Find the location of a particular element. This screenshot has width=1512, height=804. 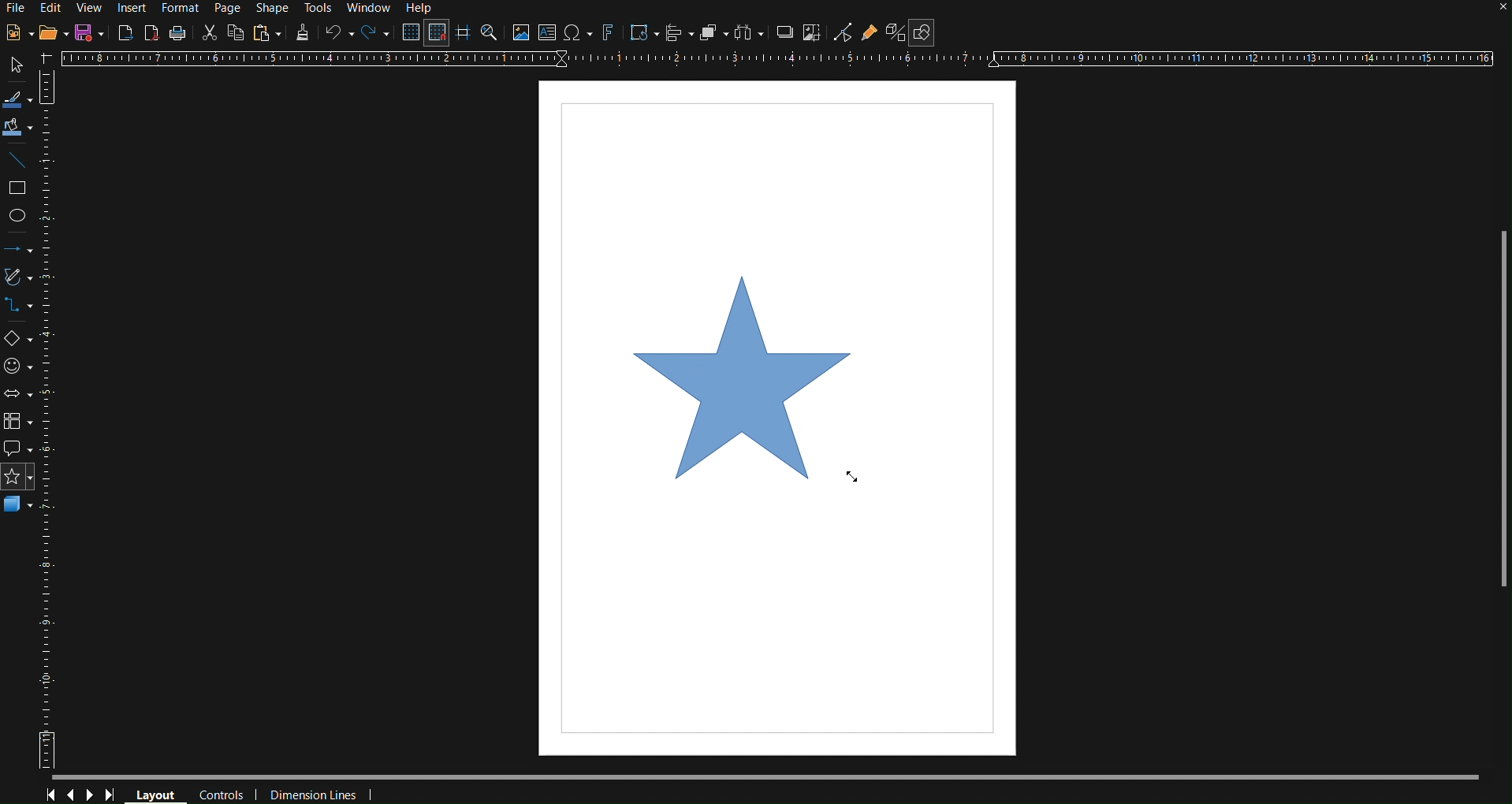

File is located at coordinates (18, 7).